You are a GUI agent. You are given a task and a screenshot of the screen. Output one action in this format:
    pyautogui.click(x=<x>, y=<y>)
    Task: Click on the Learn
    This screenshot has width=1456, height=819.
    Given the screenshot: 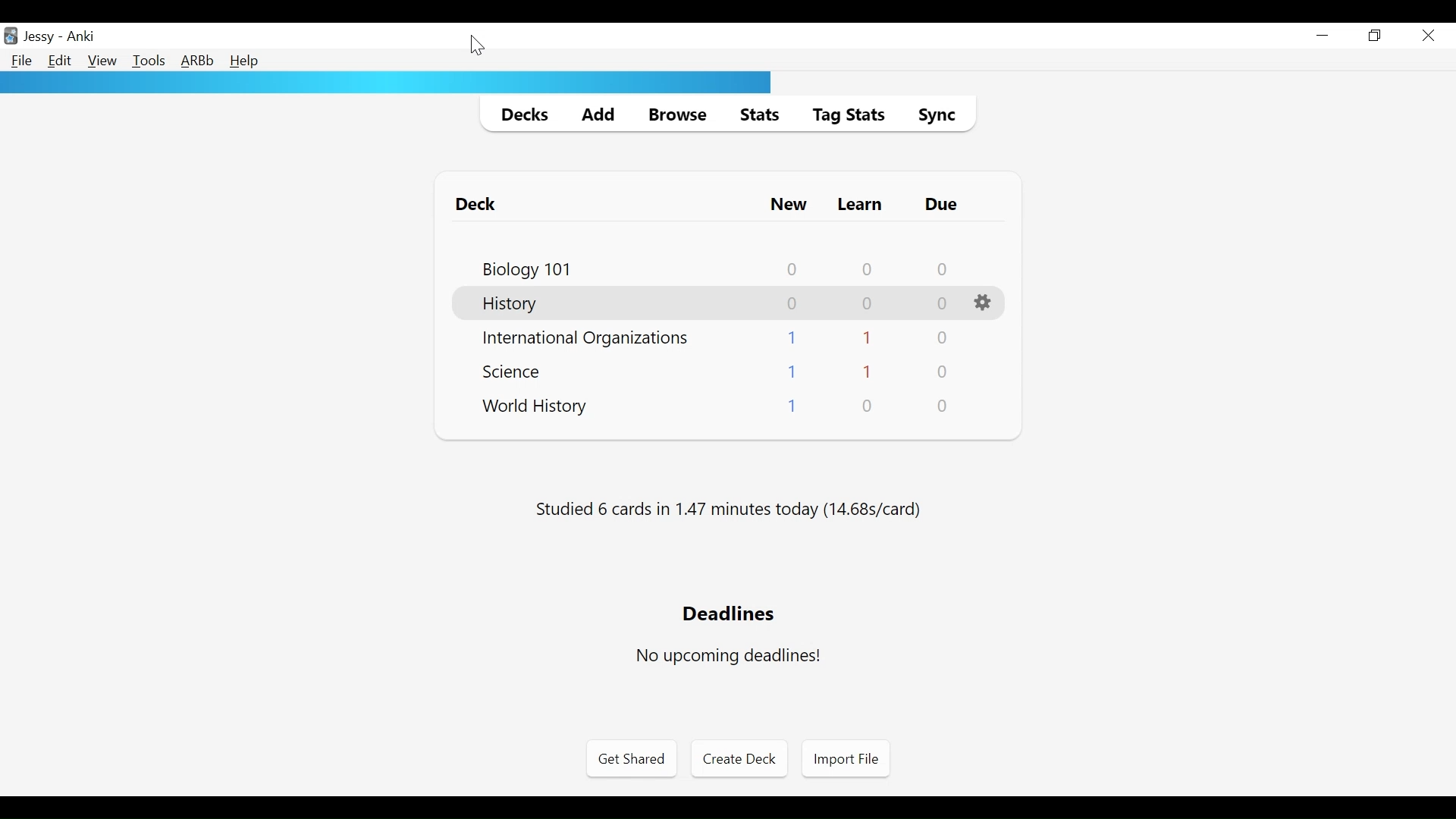 What is the action you would take?
    pyautogui.click(x=859, y=205)
    